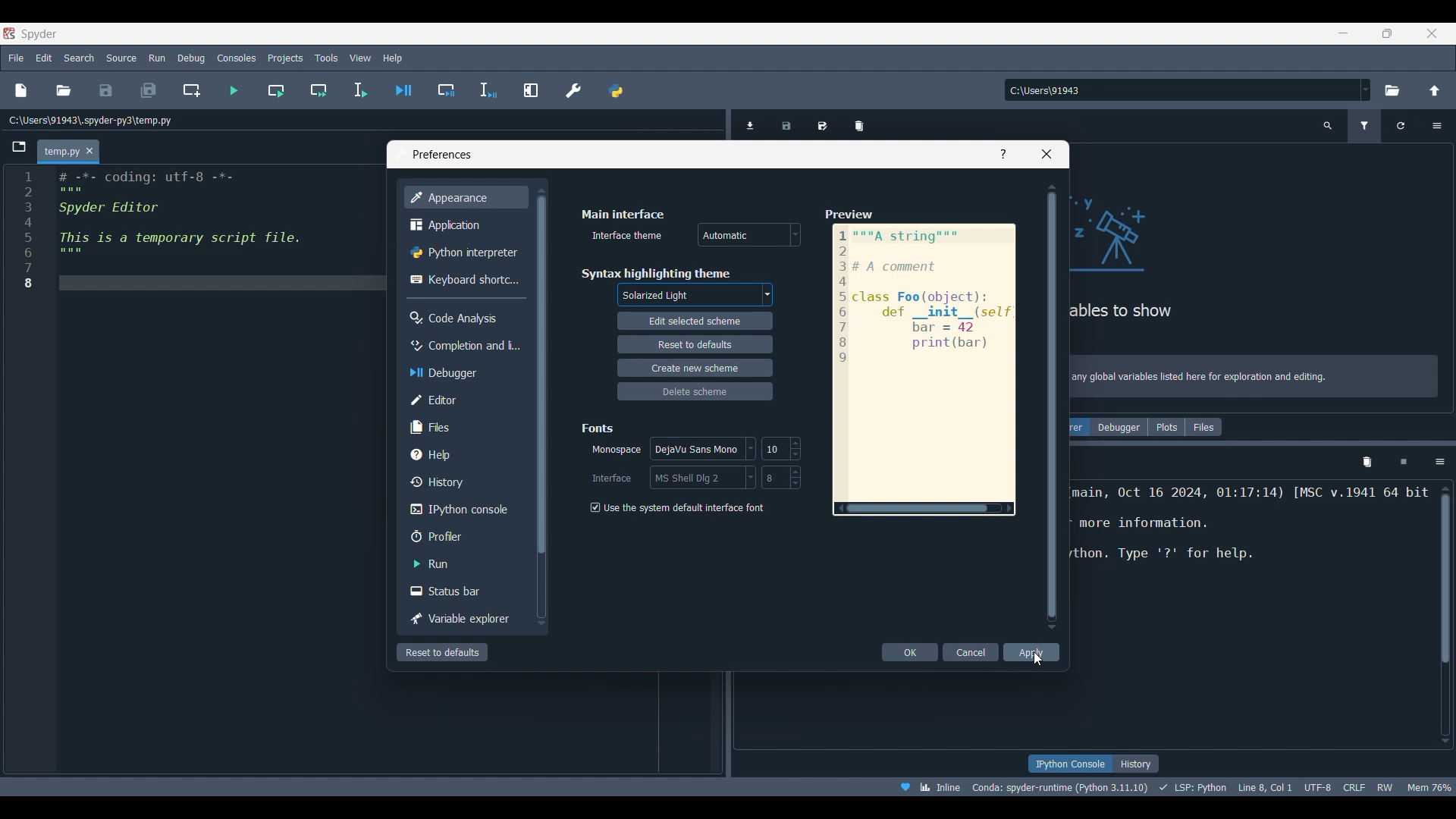 The width and height of the screenshot is (1456, 819). I want to click on Options, so click(1440, 463).